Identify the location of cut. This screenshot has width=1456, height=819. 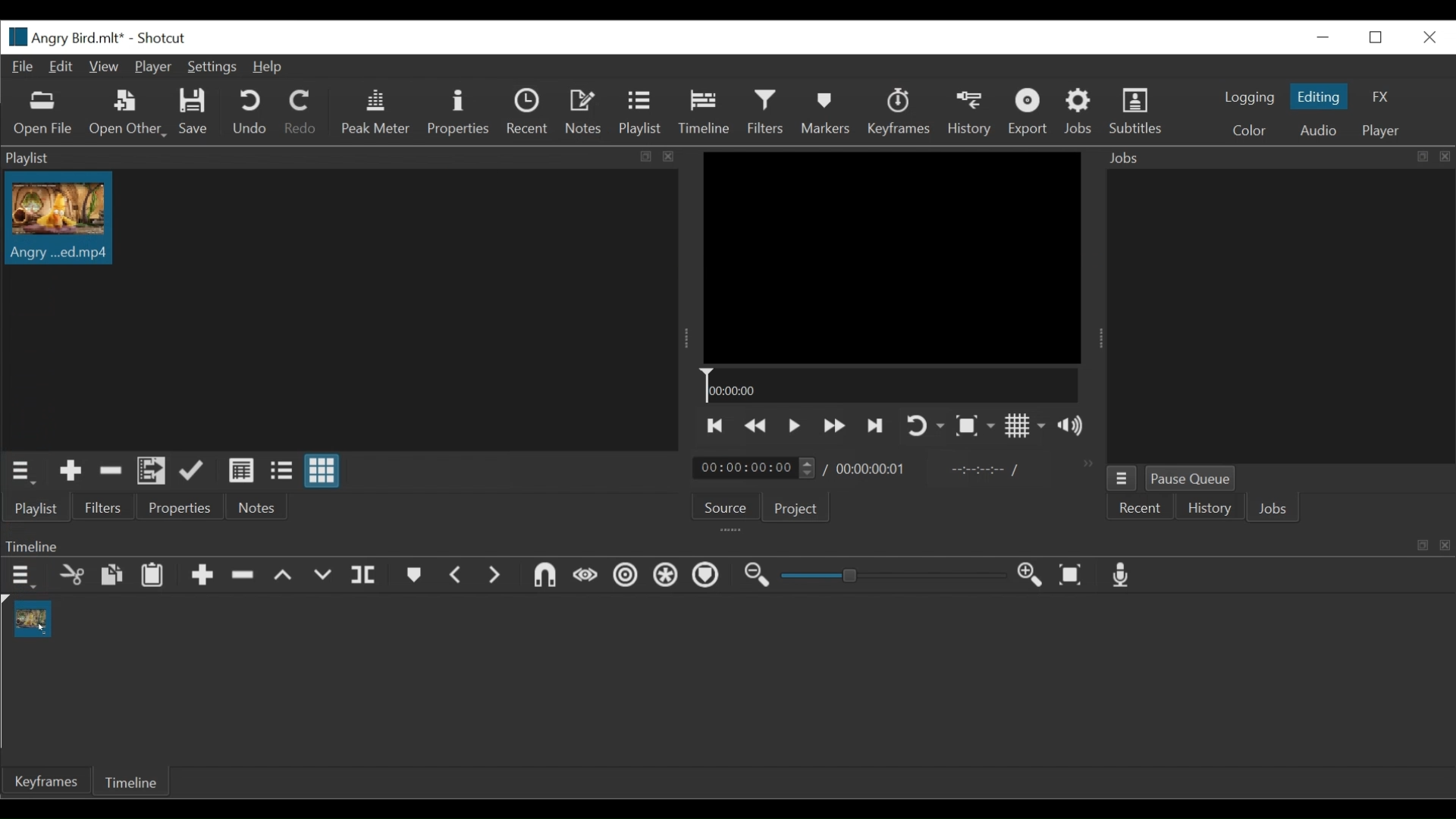
(74, 576).